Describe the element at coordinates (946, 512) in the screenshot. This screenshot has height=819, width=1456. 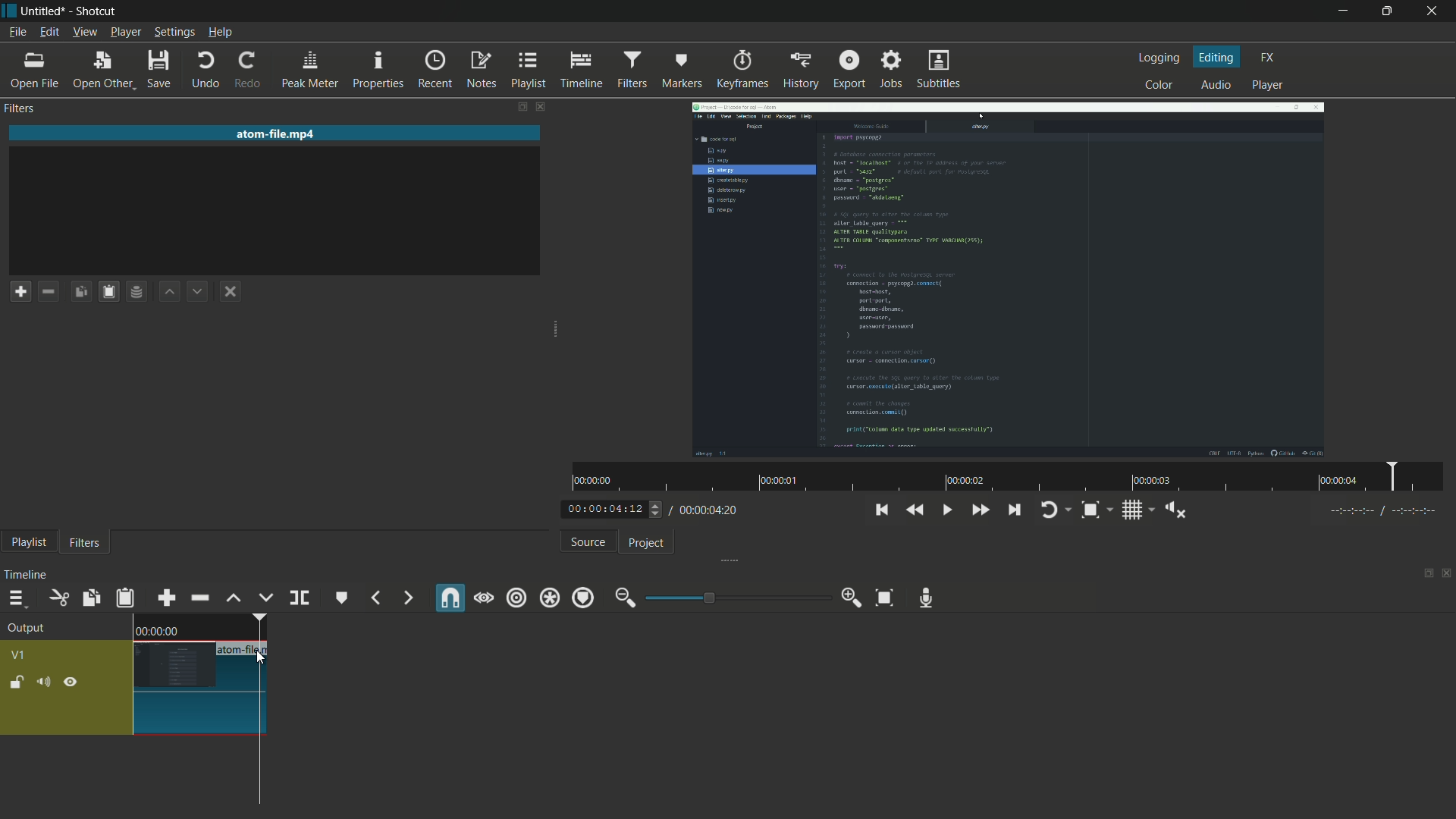
I see `toggle play or pause` at that location.